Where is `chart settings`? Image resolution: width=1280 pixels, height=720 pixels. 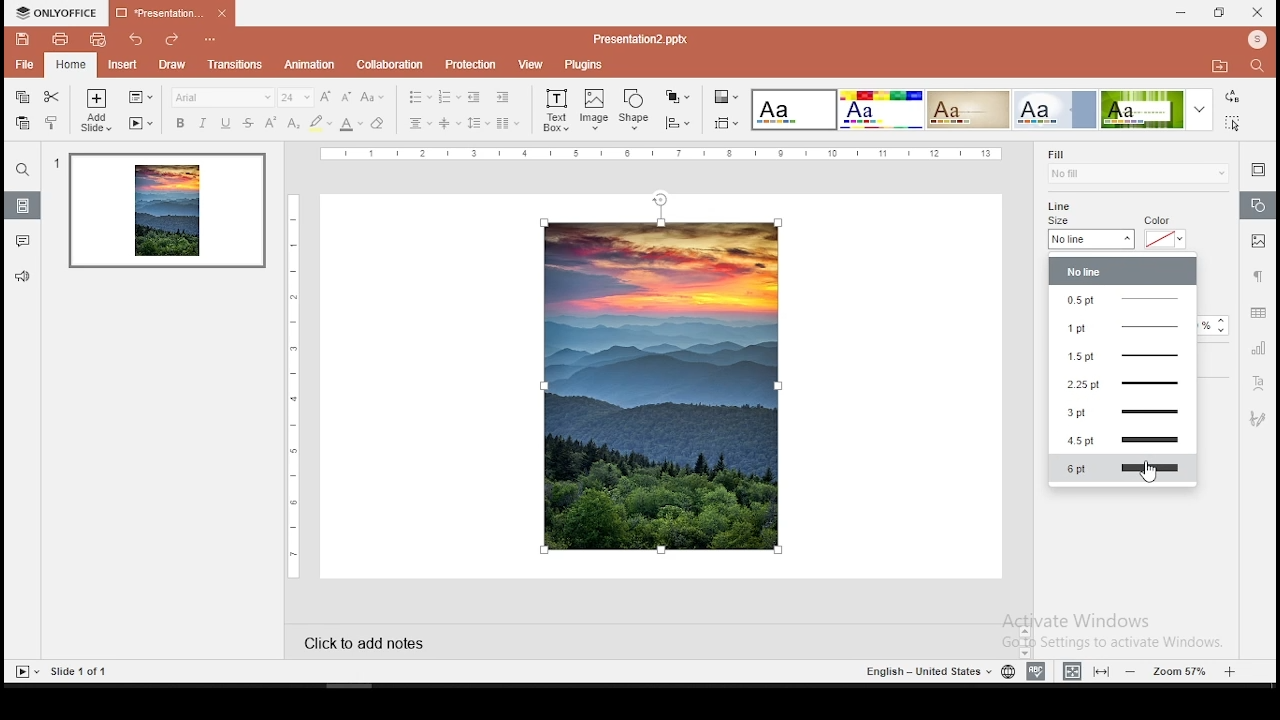
chart settings is located at coordinates (1257, 352).